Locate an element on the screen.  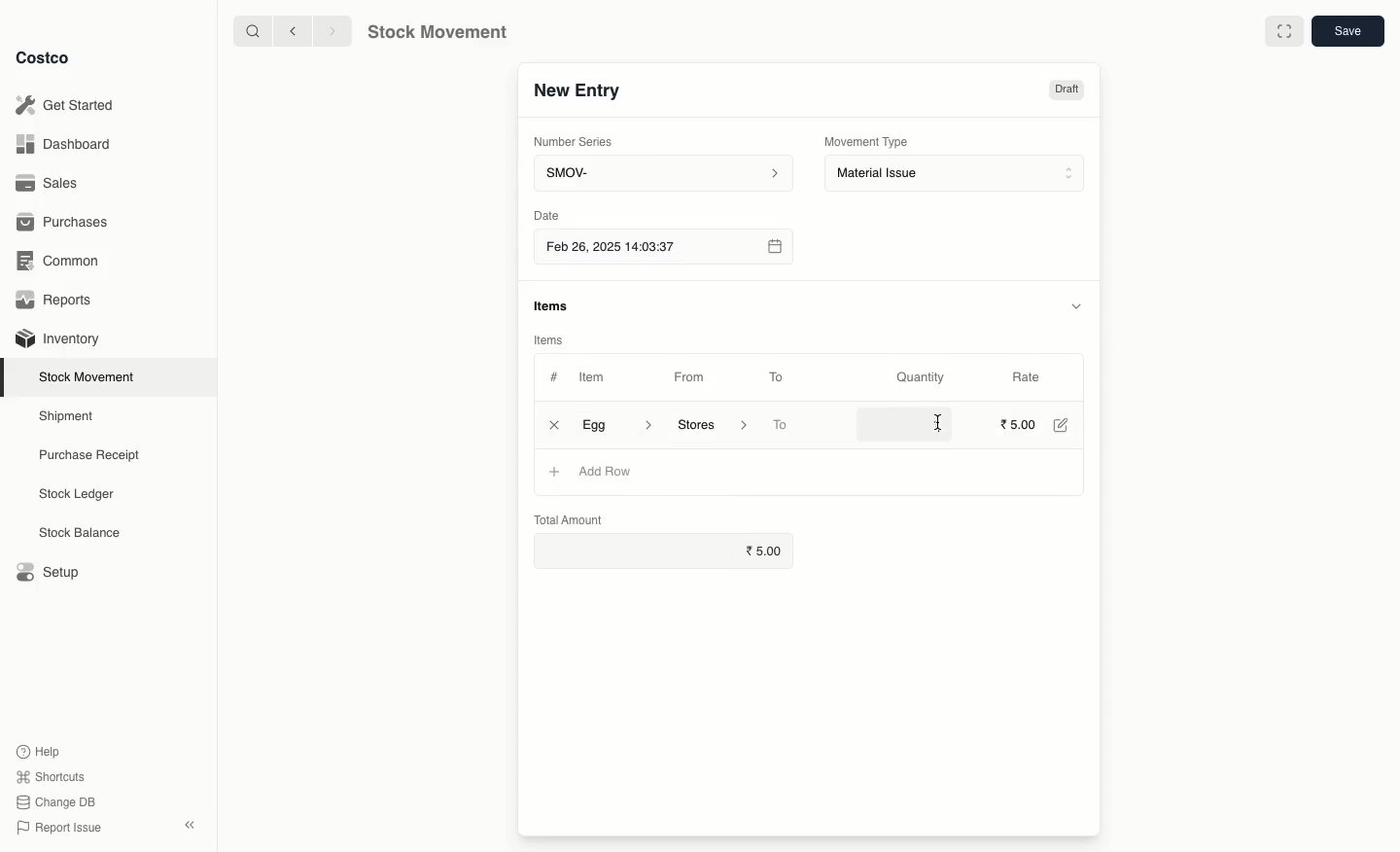
Quantity is located at coordinates (924, 378).